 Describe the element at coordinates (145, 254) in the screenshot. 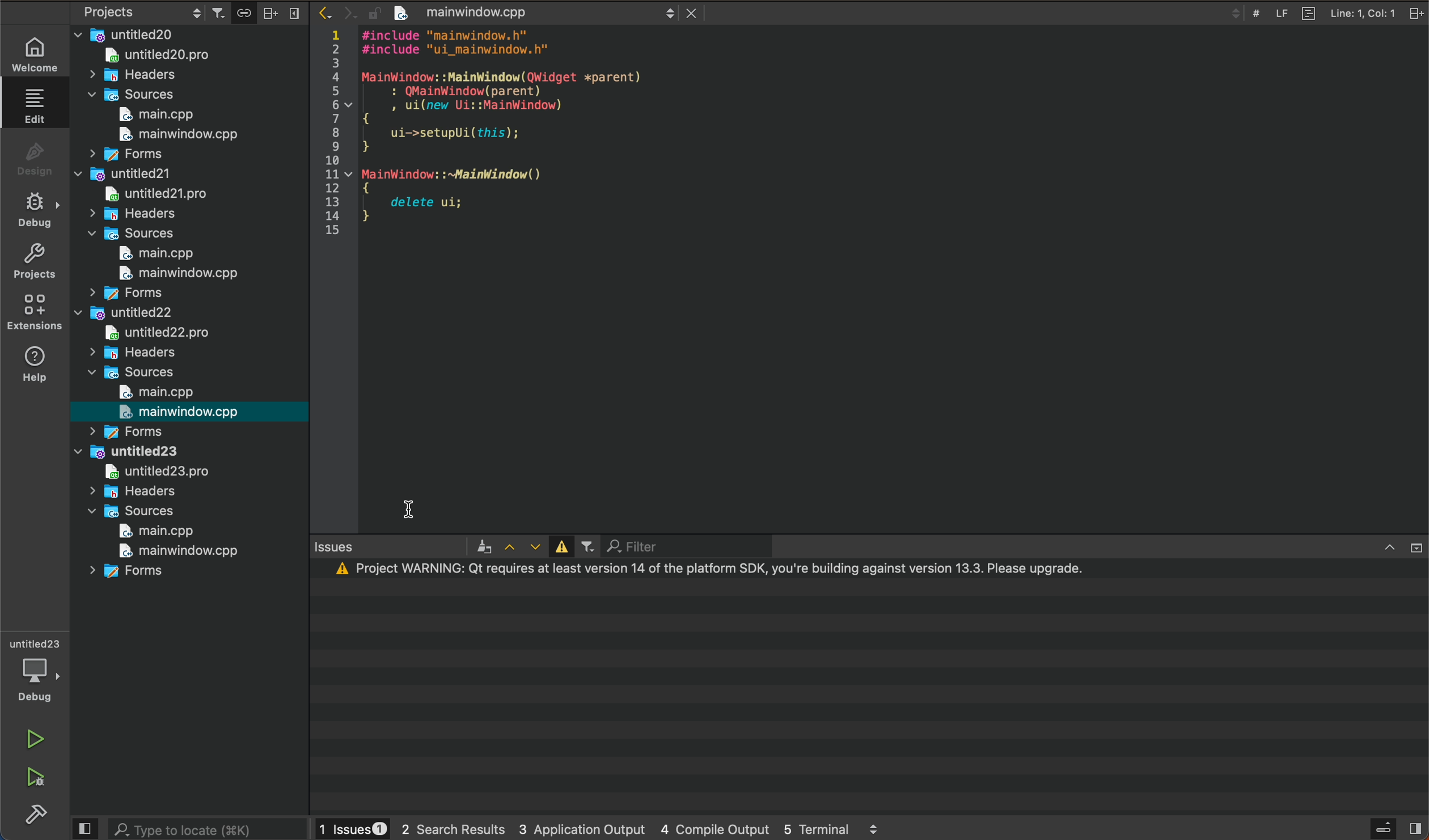

I see `main.cpp` at that location.